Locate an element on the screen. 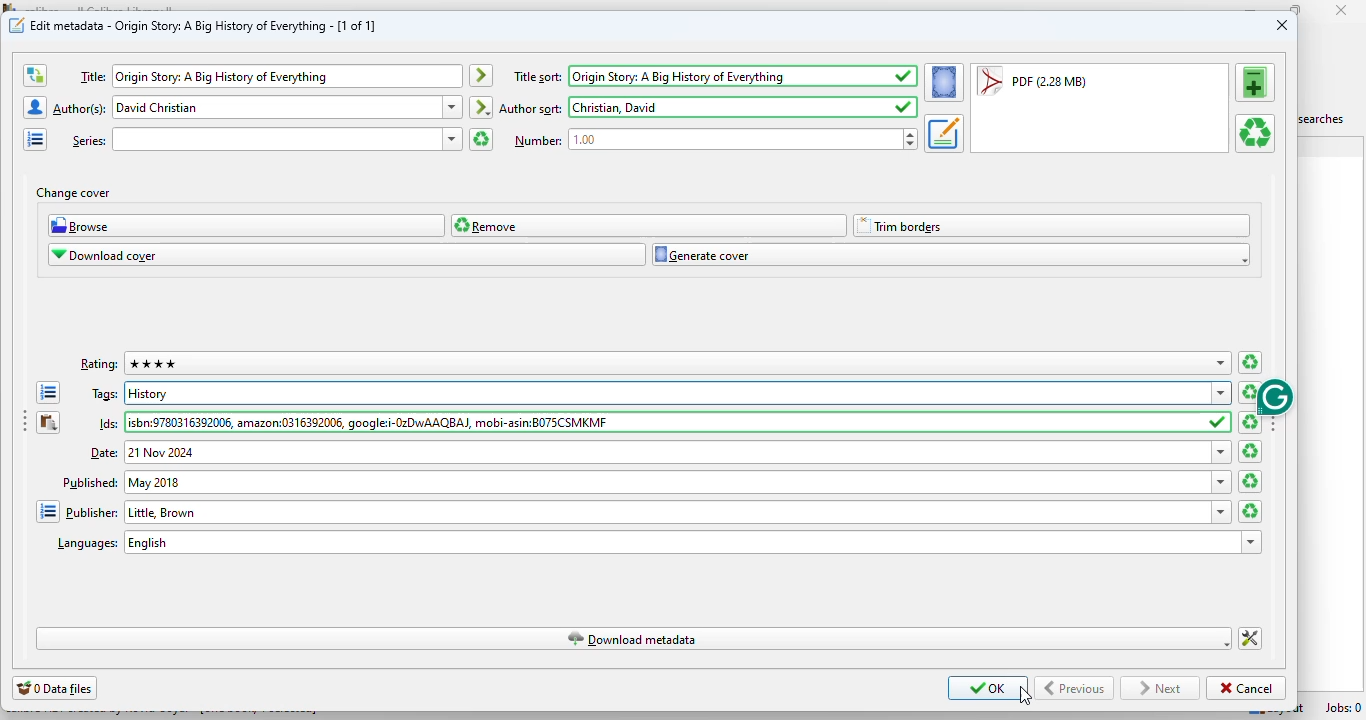 This screenshot has height=720, width=1366. text is located at coordinates (92, 511).